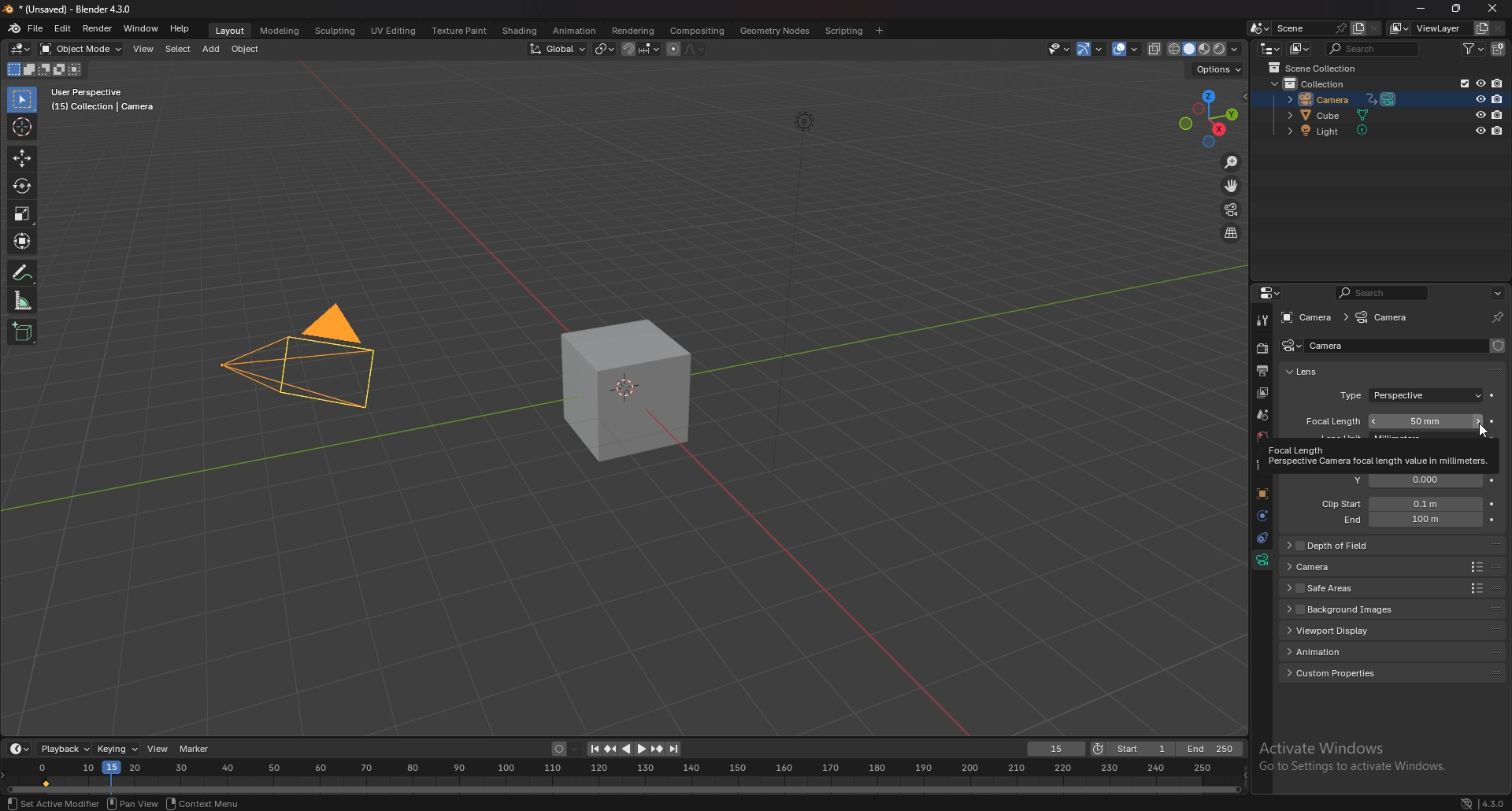  Describe the element at coordinates (1403, 518) in the screenshot. I see `clip end` at that location.